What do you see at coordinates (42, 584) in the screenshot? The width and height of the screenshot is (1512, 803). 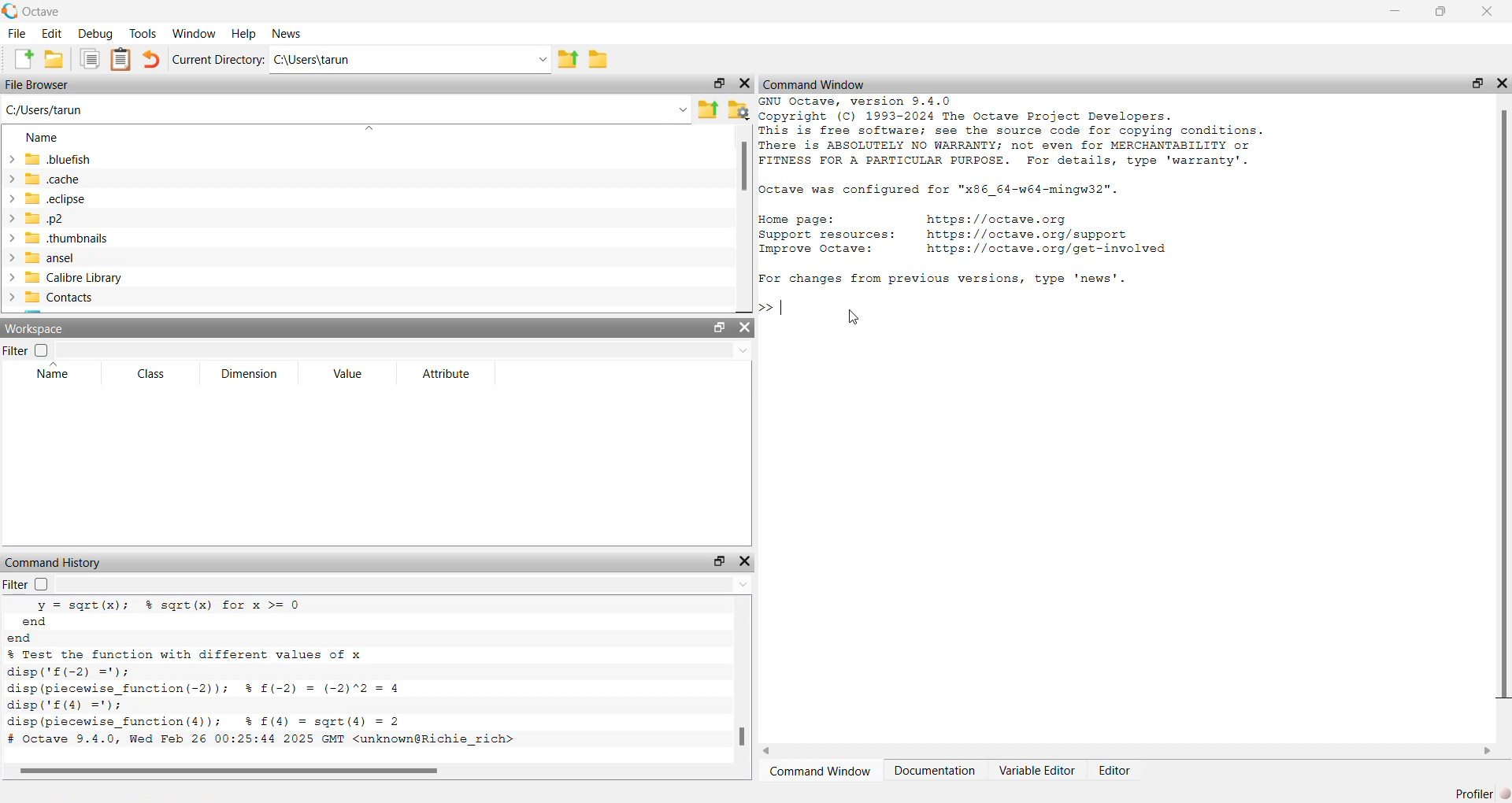 I see `Filter` at bounding box center [42, 584].